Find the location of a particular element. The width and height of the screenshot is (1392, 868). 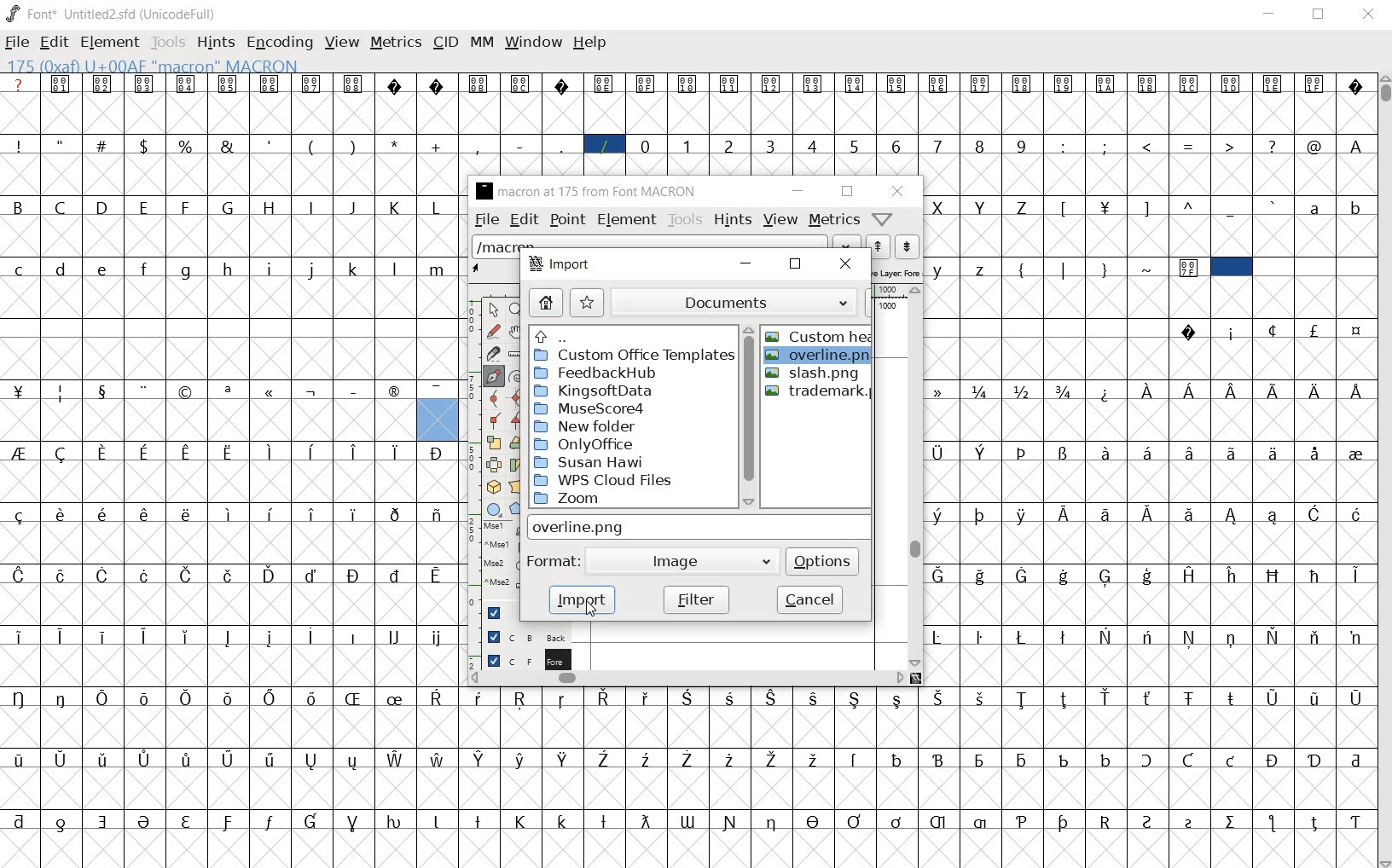

Symbol is located at coordinates (1272, 84).